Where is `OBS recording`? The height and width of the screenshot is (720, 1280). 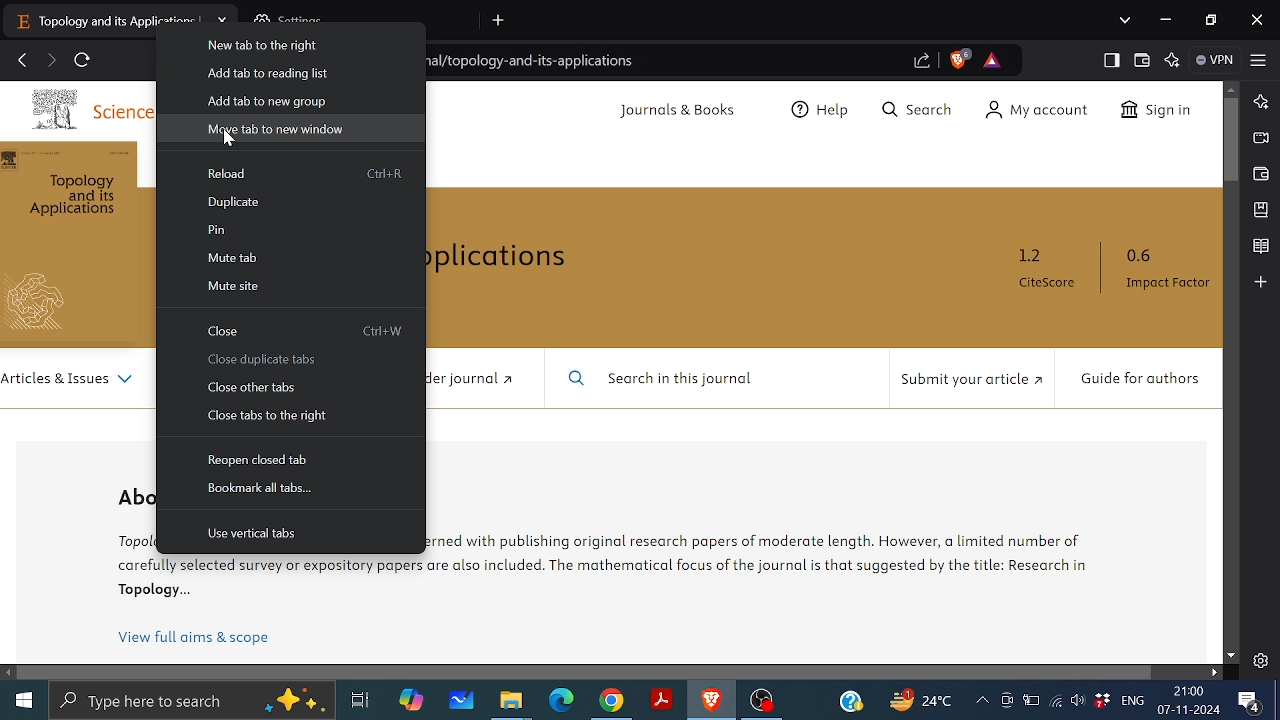
OBS recording is located at coordinates (762, 701).